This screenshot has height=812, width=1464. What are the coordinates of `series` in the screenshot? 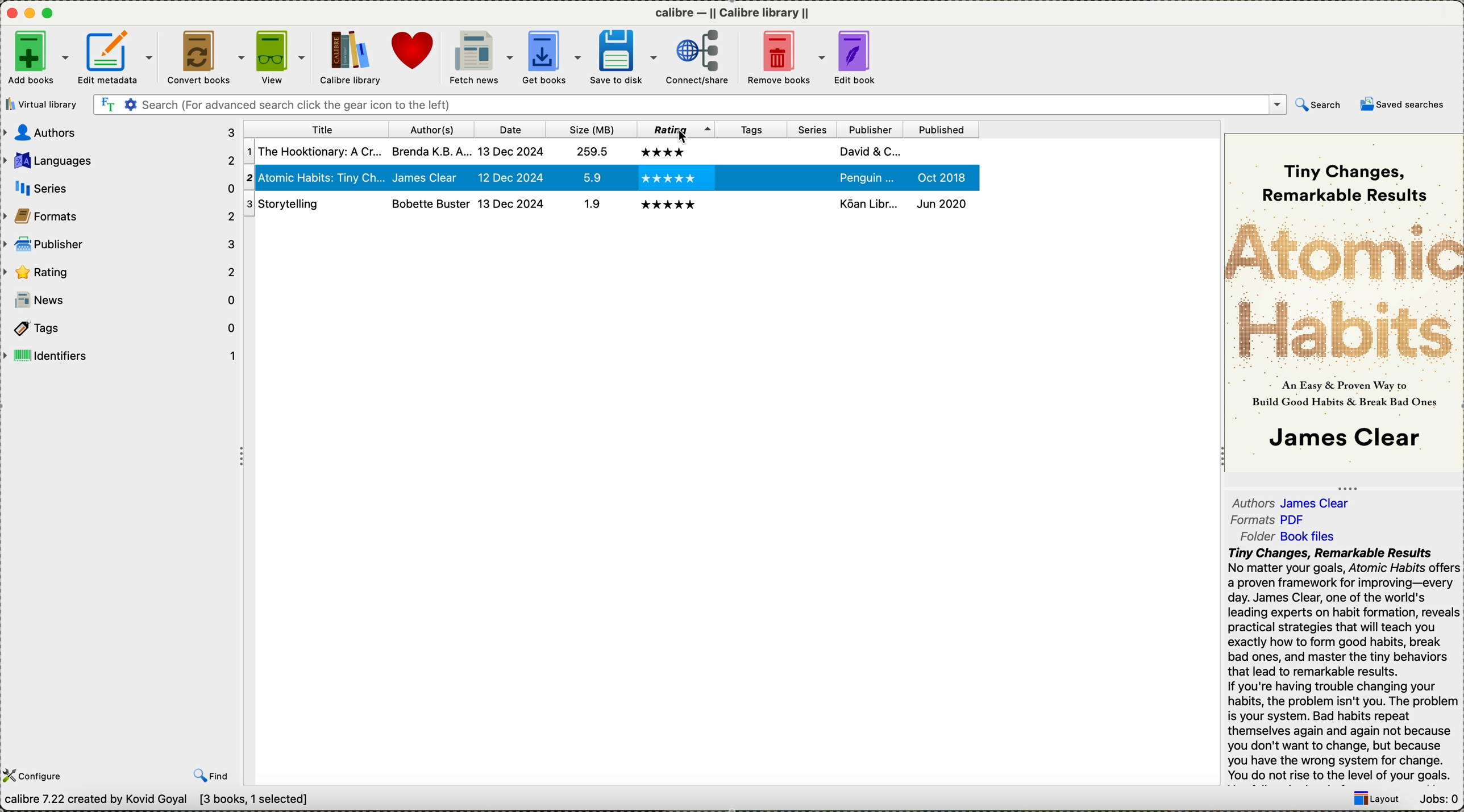 It's located at (814, 151).